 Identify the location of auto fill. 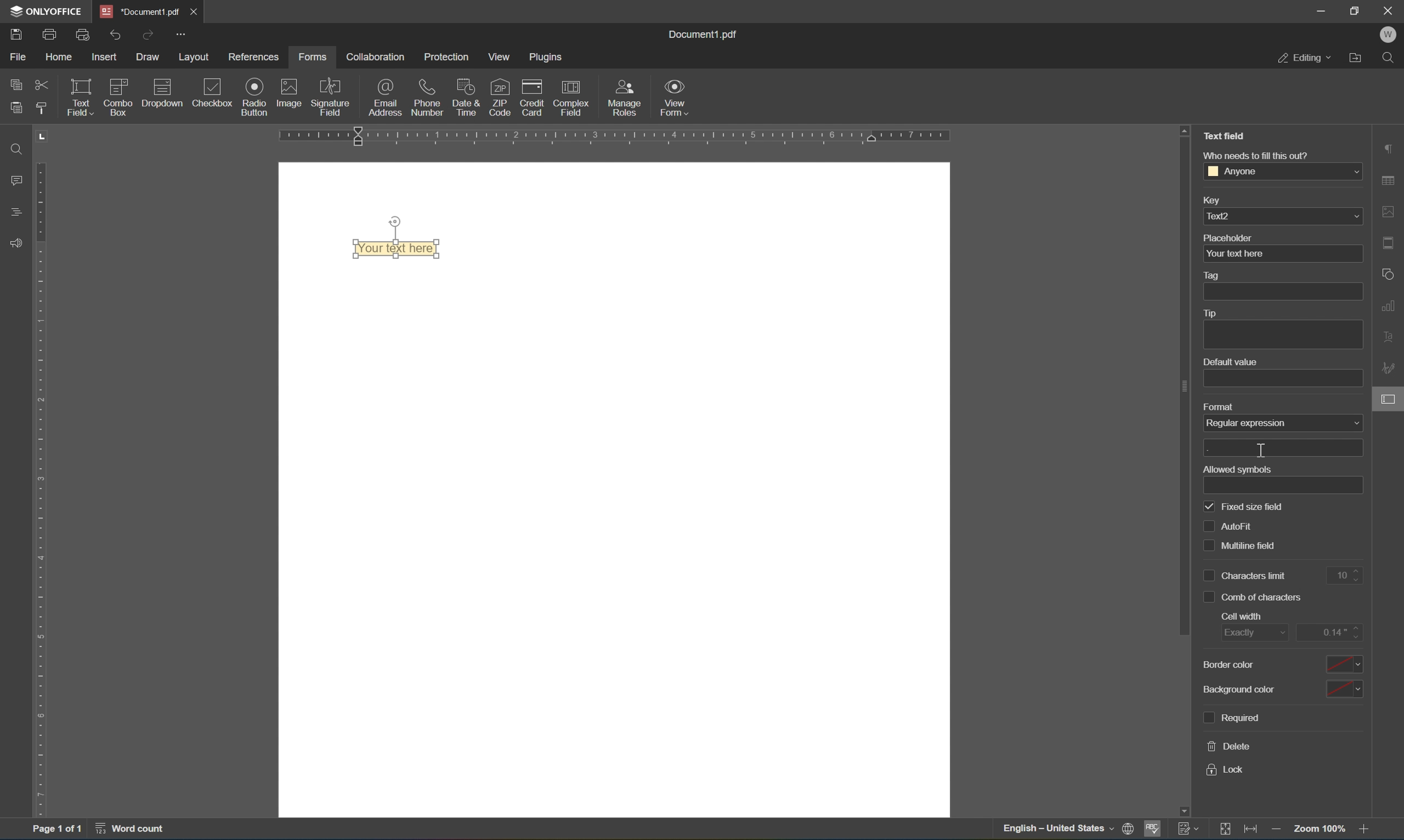
(1227, 526).